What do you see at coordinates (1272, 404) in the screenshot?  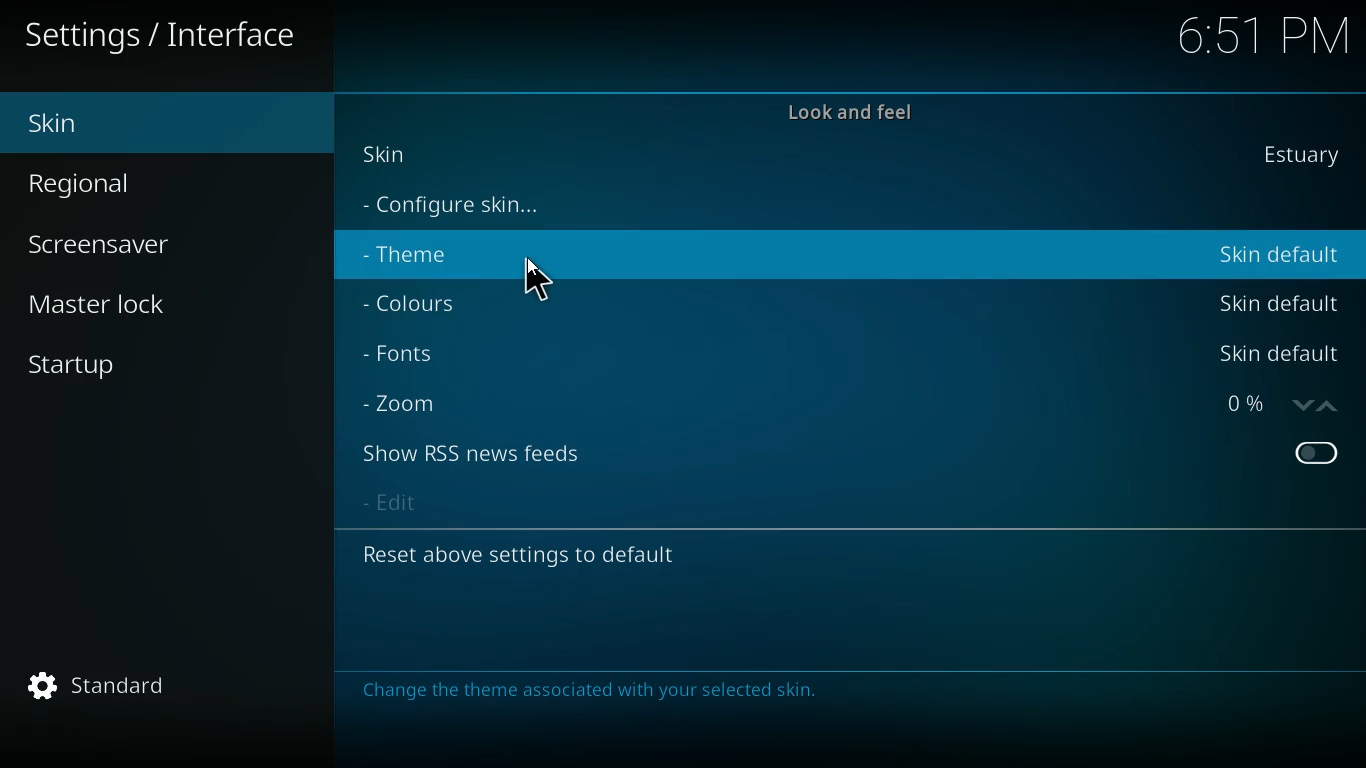 I see `zoom` at bounding box center [1272, 404].